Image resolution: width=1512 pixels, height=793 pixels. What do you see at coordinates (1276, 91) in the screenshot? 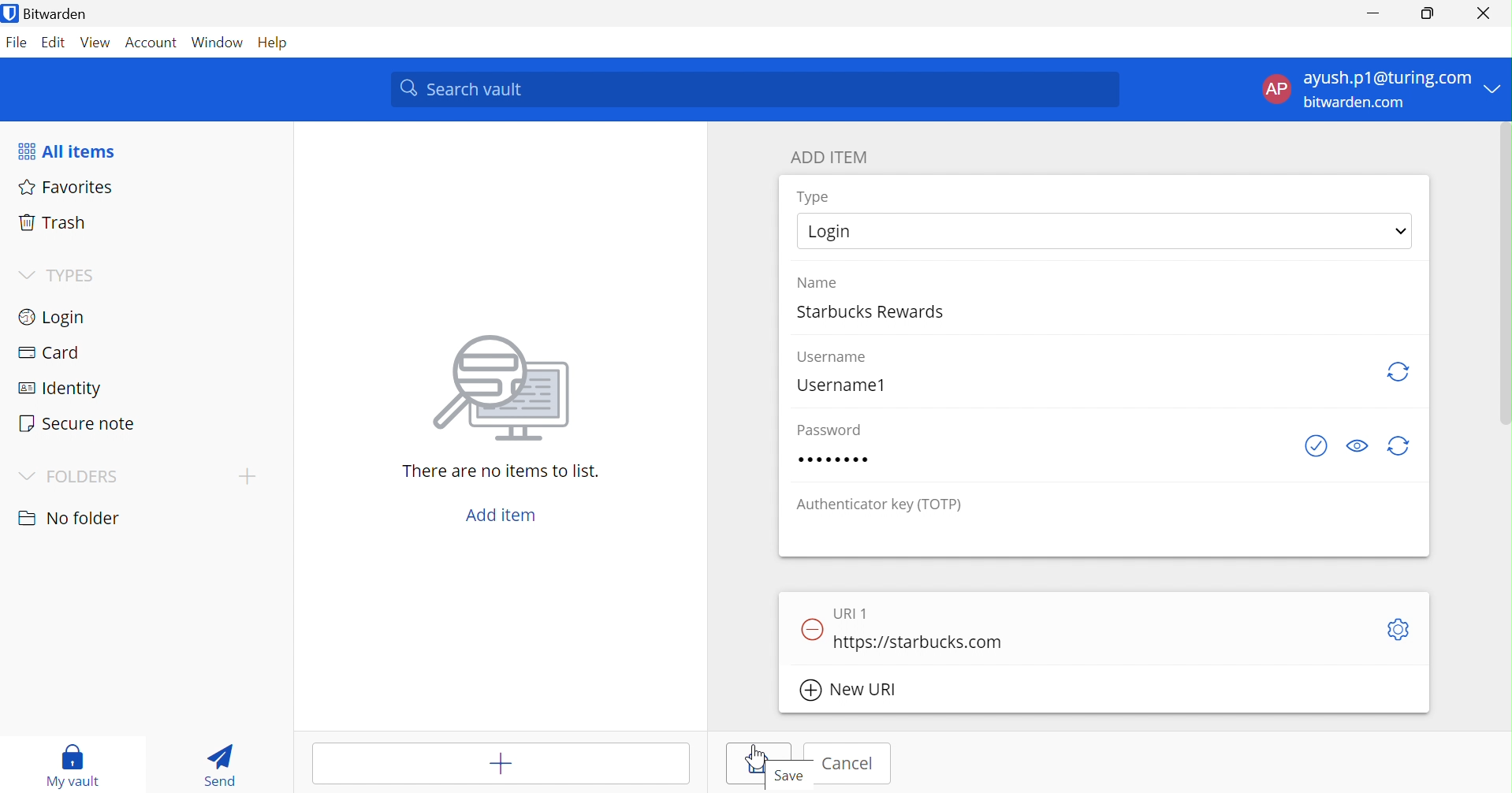
I see `AP` at bounding box center [1276, 91].